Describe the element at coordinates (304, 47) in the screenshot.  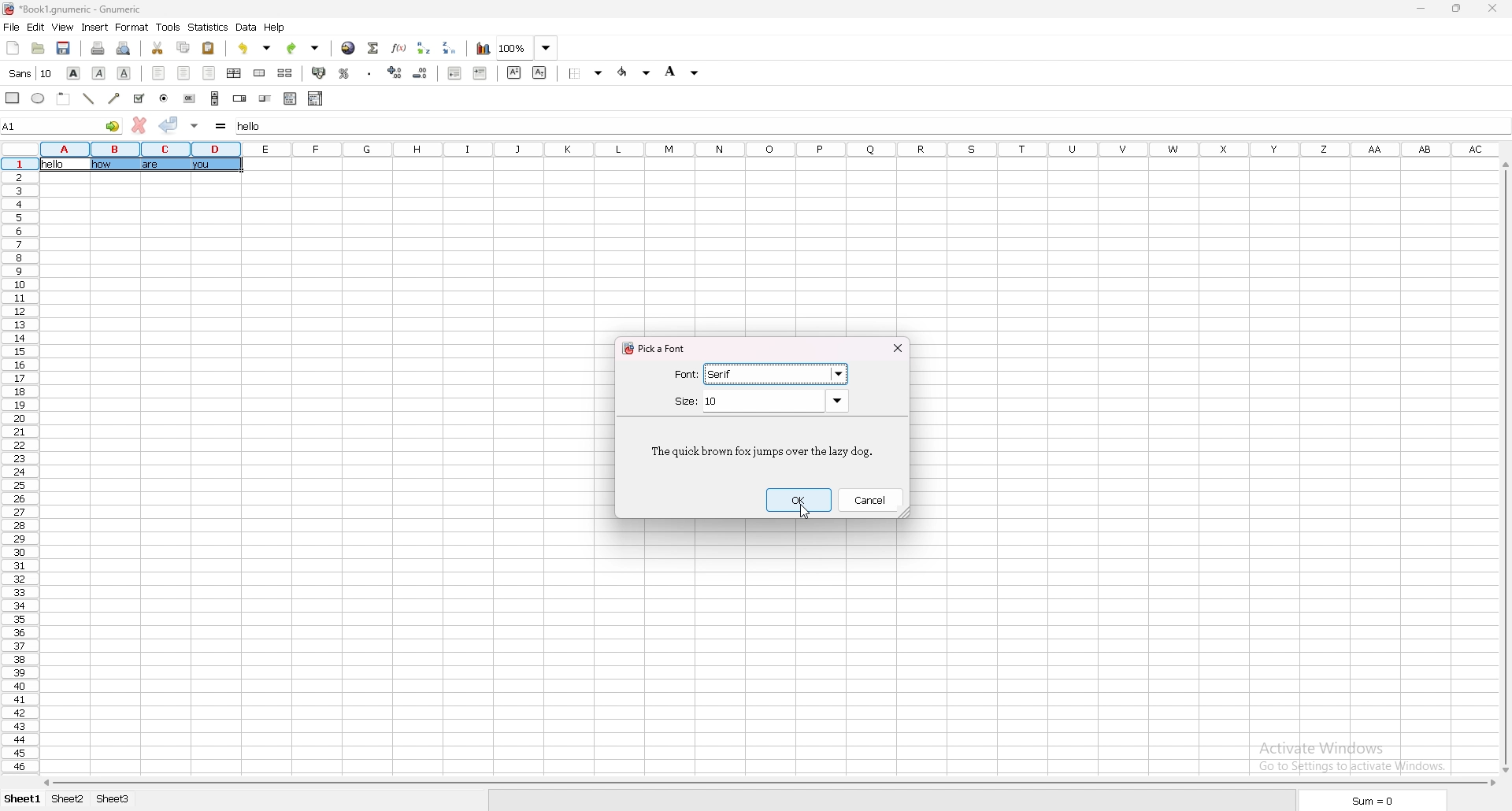
I see `redo` at that location.